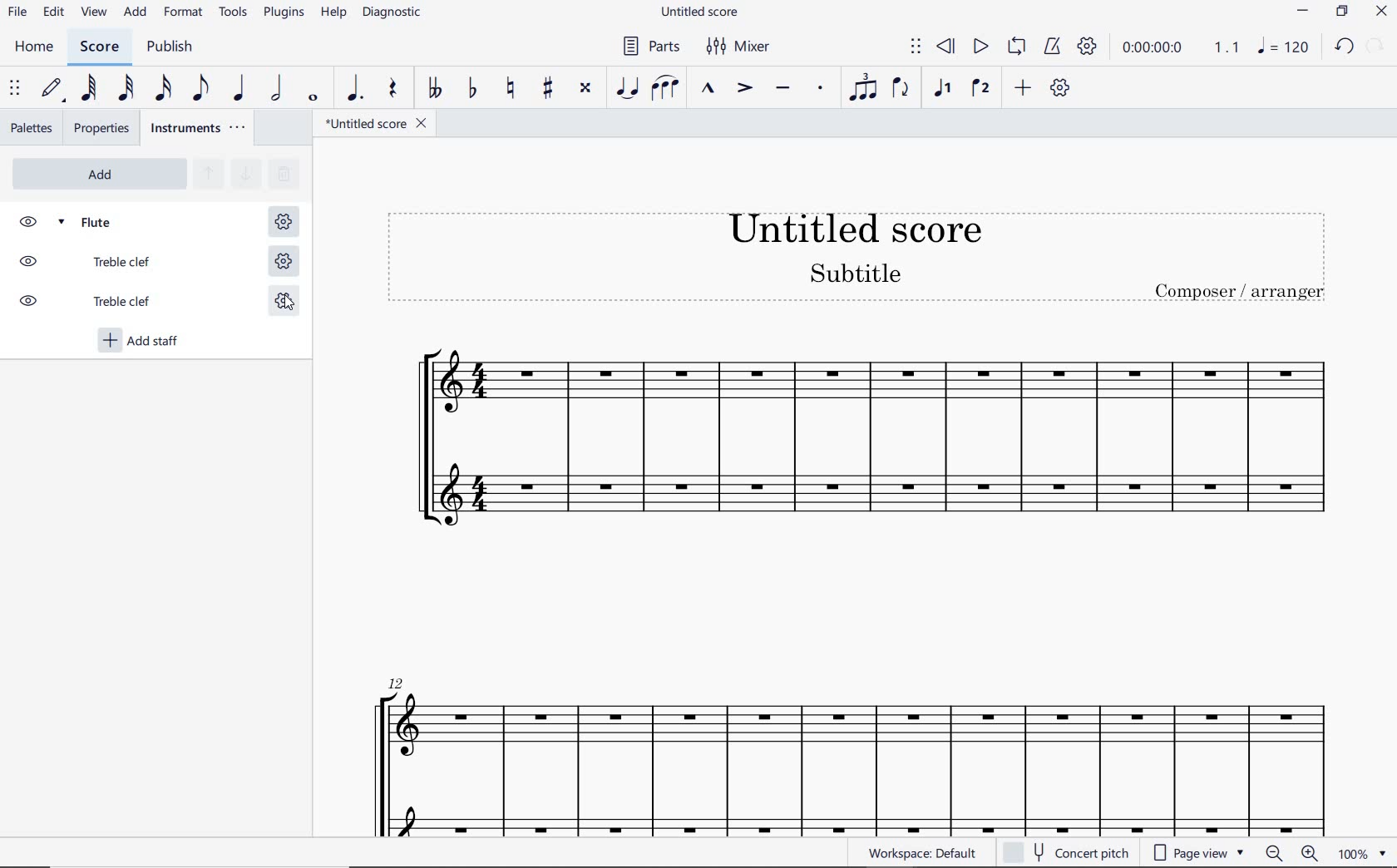 The width and height of the screenshot is (1397, 868). I want to click on file, so click(18, 16).